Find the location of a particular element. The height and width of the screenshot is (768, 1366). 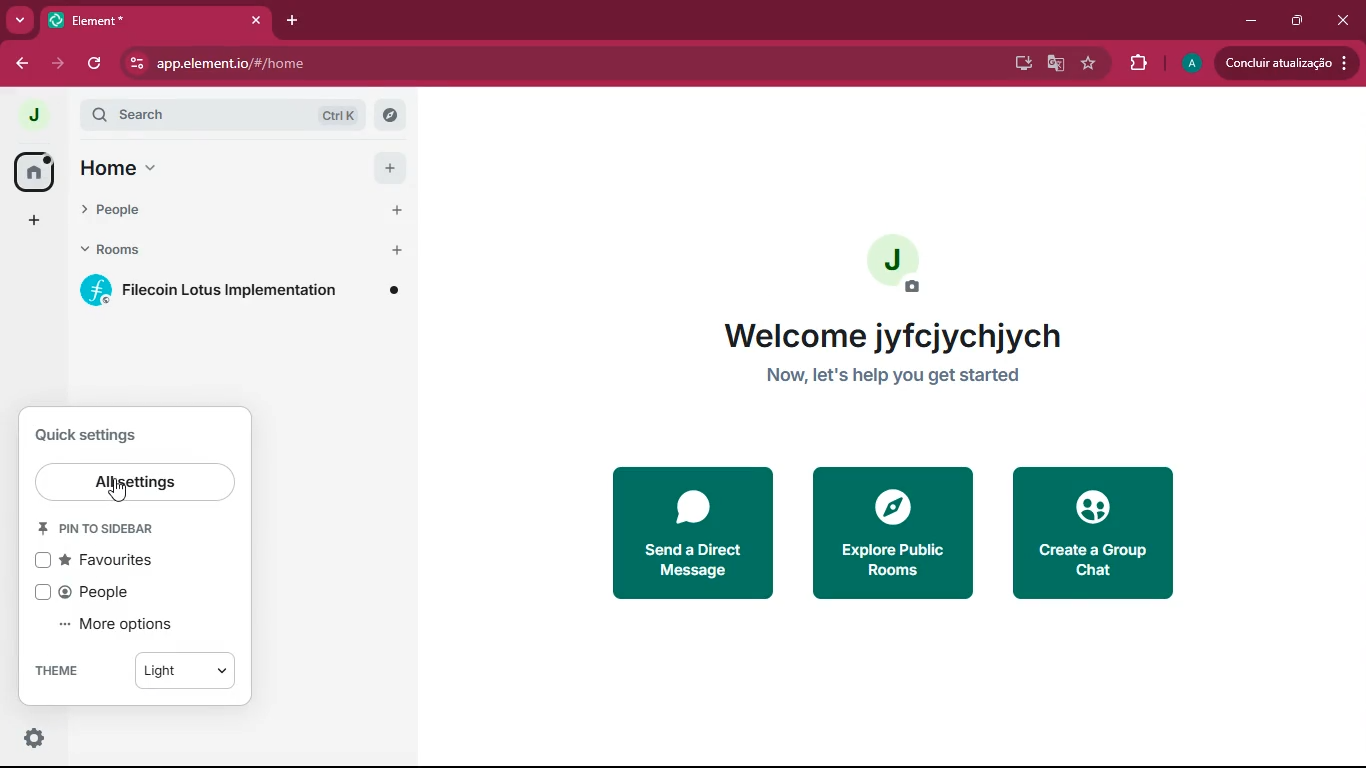

app.element.io/#/home is located at coordinates (355, 65).